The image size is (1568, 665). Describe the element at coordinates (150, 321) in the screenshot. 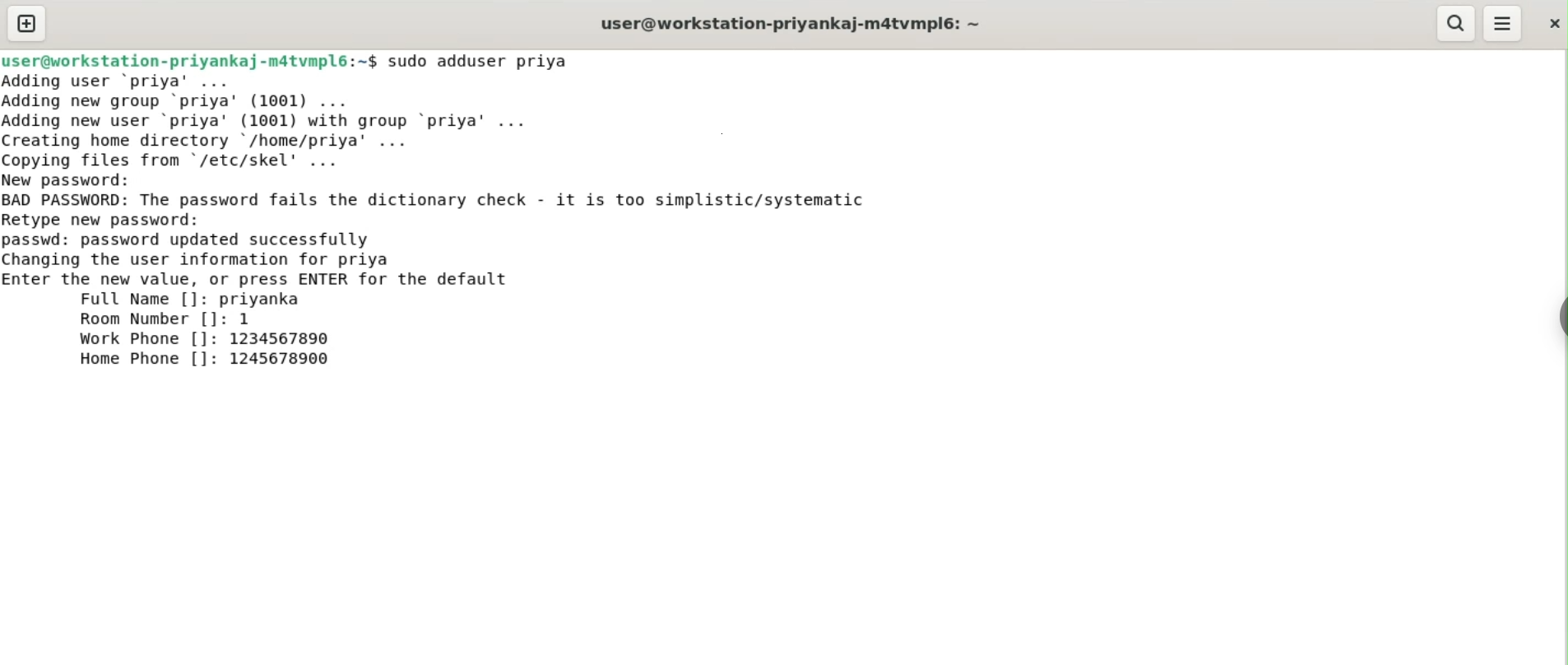

I see `room number []:` at that location.